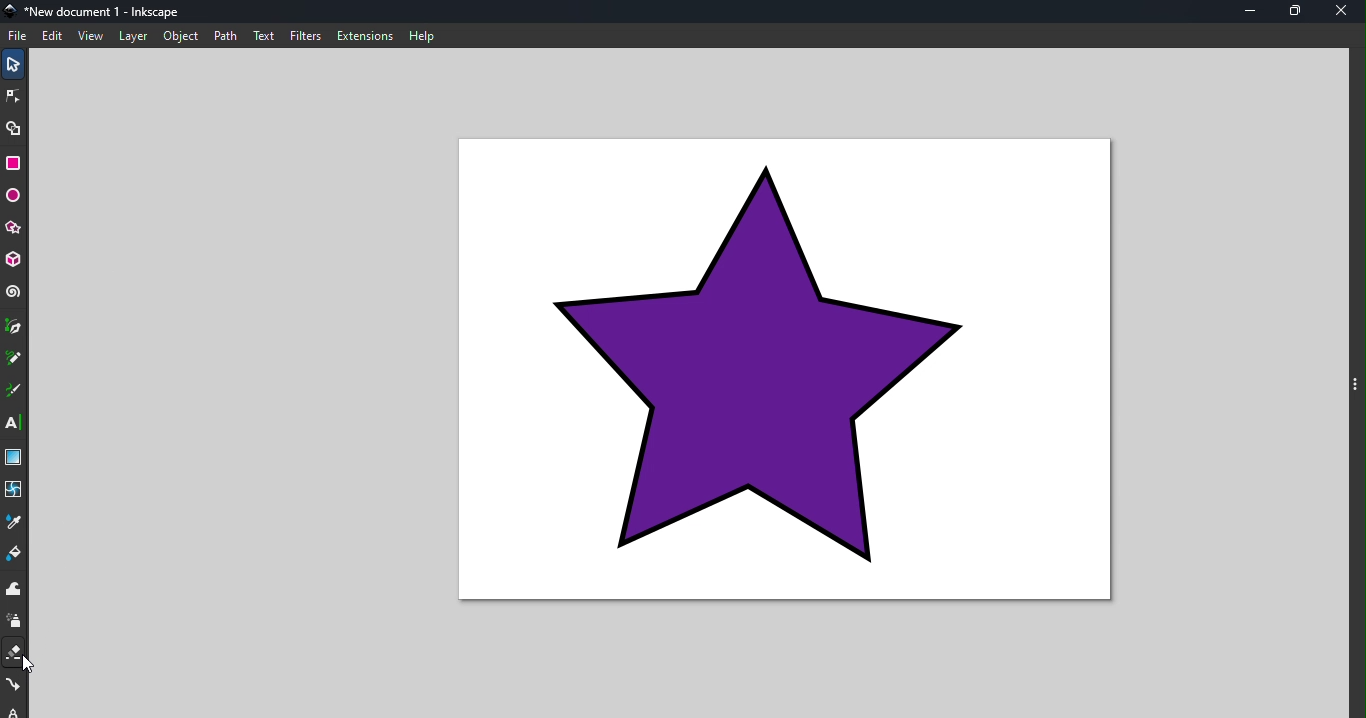  Describe the element at coordinates (91, 37) in the screenshot. I see `view` at that location.